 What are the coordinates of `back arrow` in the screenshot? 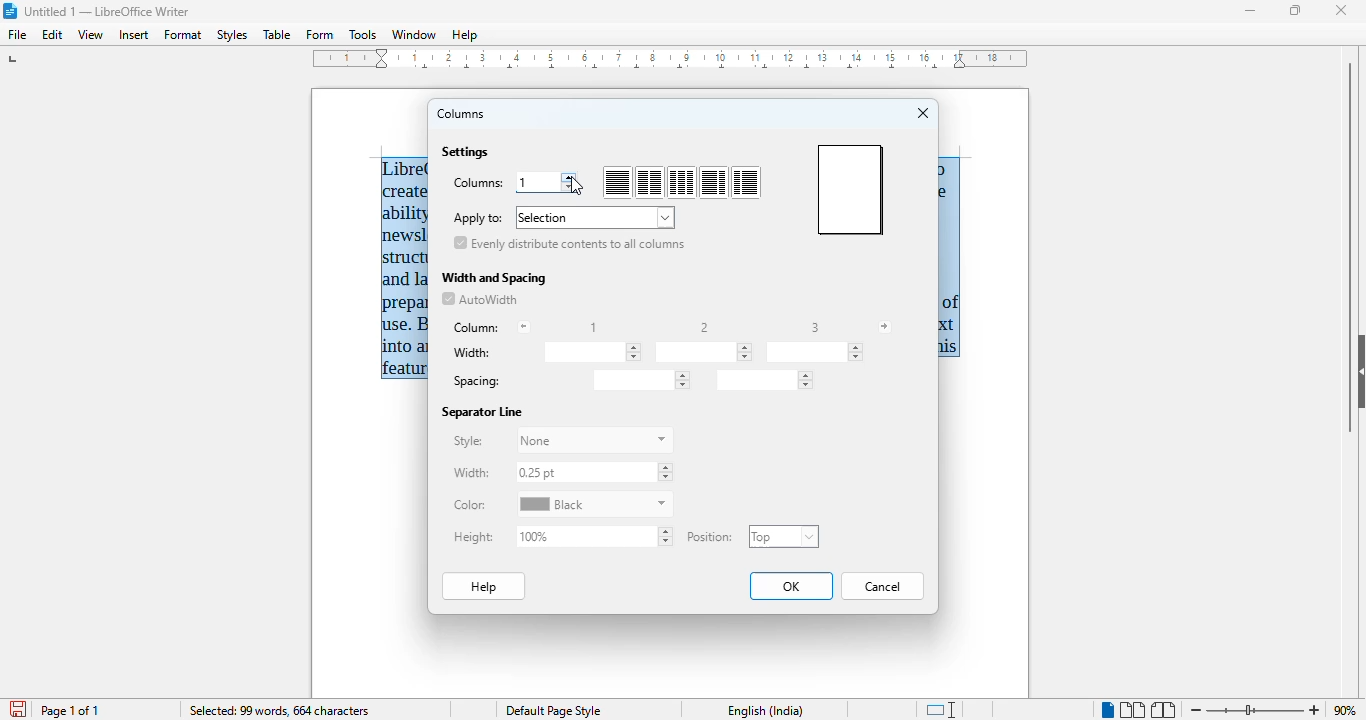 It's located at (524, 327).